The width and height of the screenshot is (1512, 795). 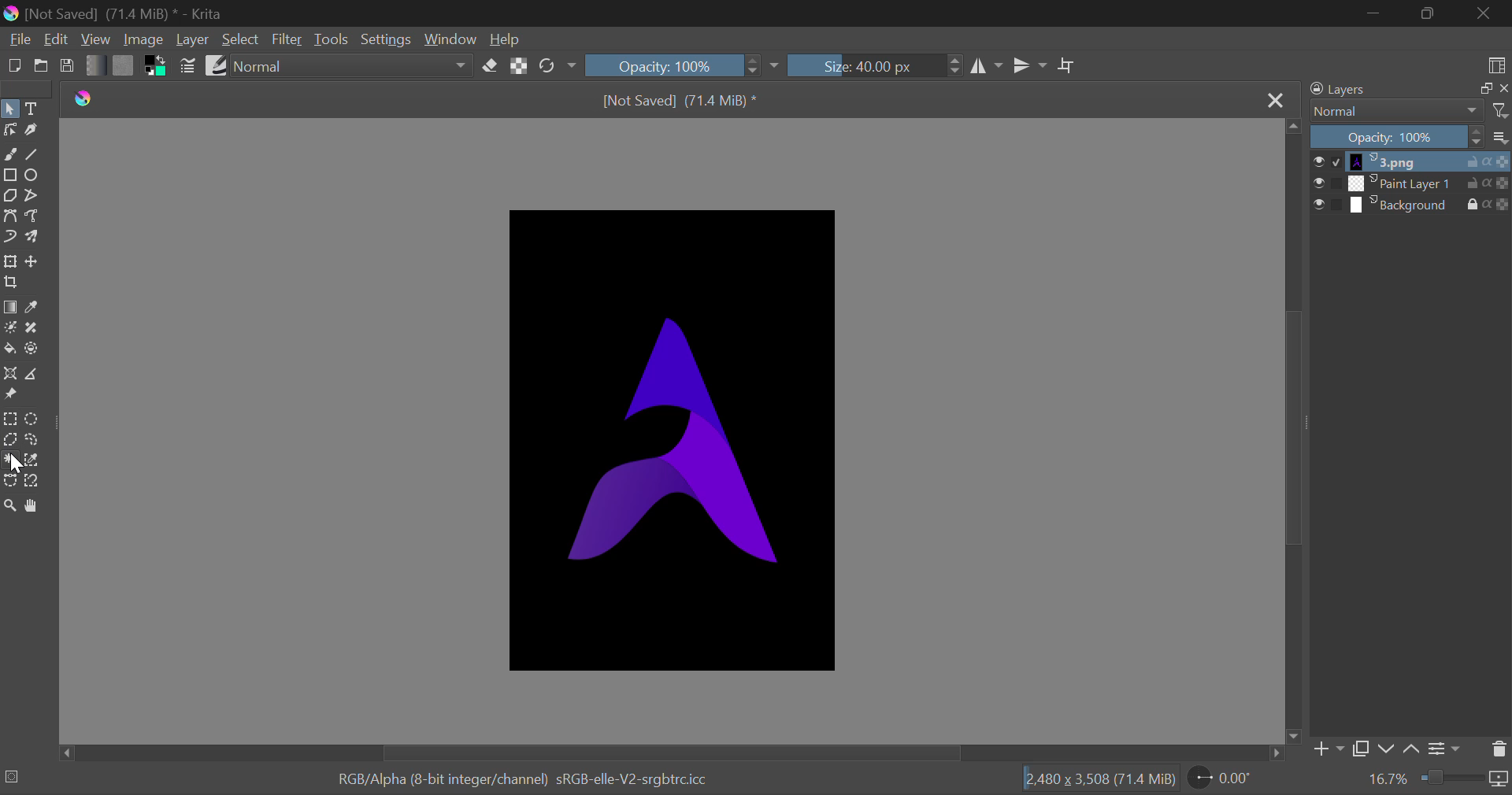 What do you see at coordinates (68, 65) in the screenshot?
I see `Save` at bounding box center [68, 65].